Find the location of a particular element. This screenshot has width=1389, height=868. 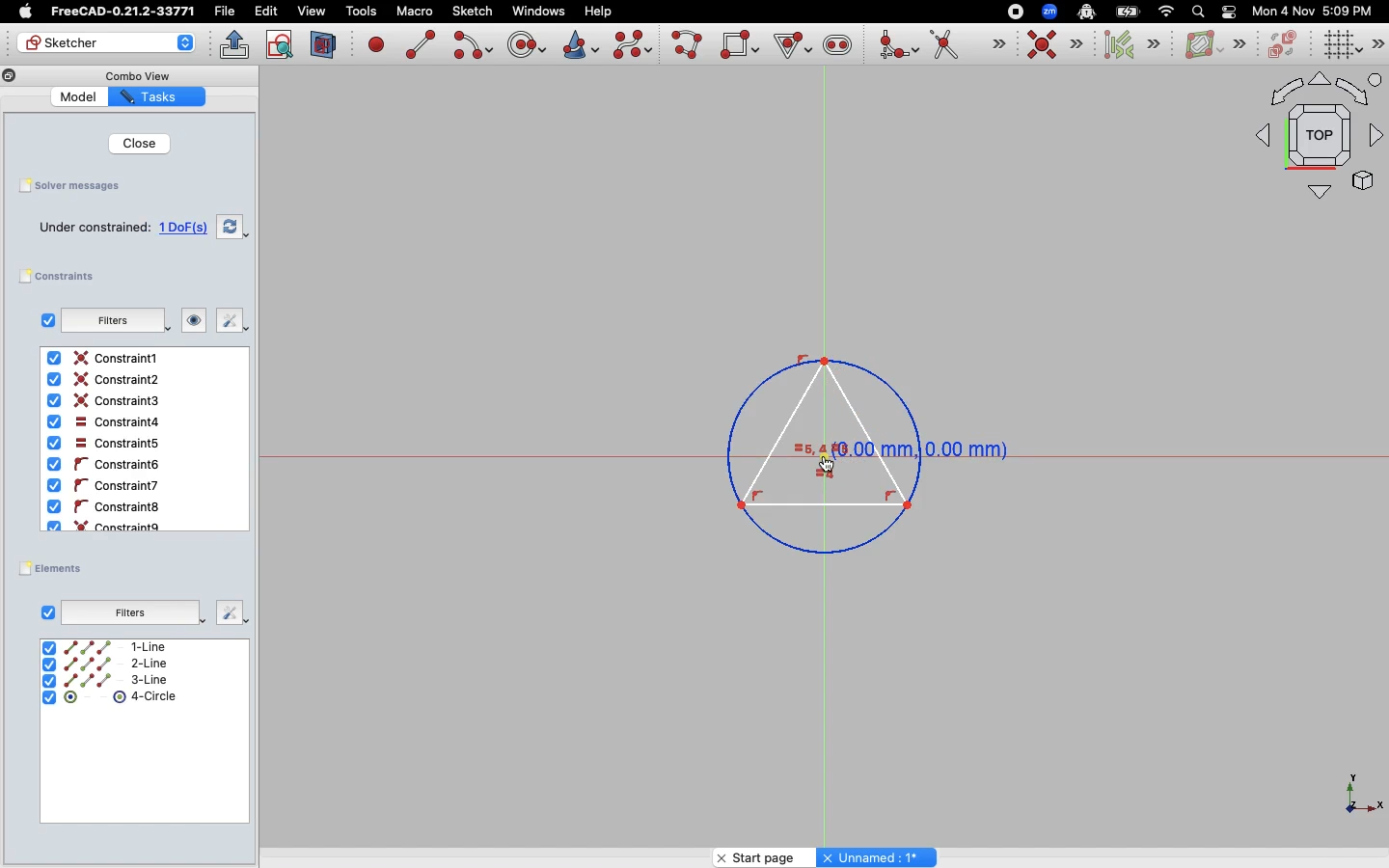

Zoom is located at coordinates (1050, 12).